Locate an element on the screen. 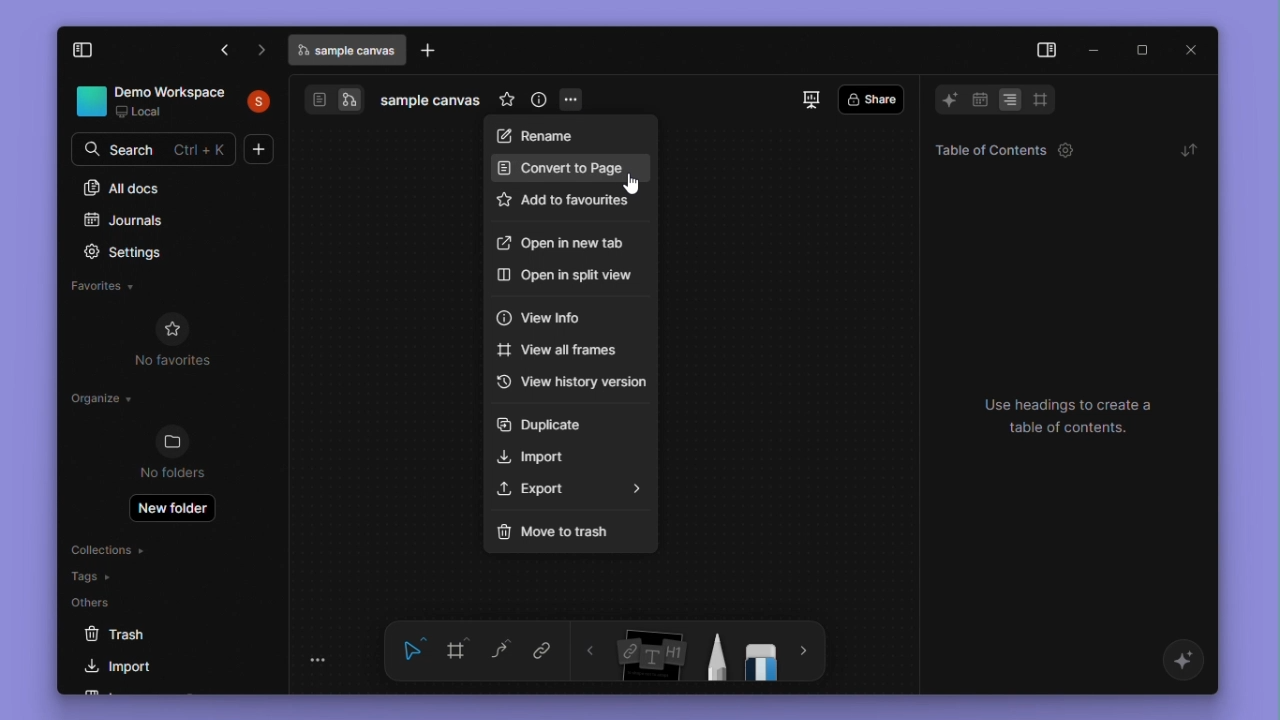 The width and height of the screenshot is (1280, 720). Settings is located at coordinates (136, 252).